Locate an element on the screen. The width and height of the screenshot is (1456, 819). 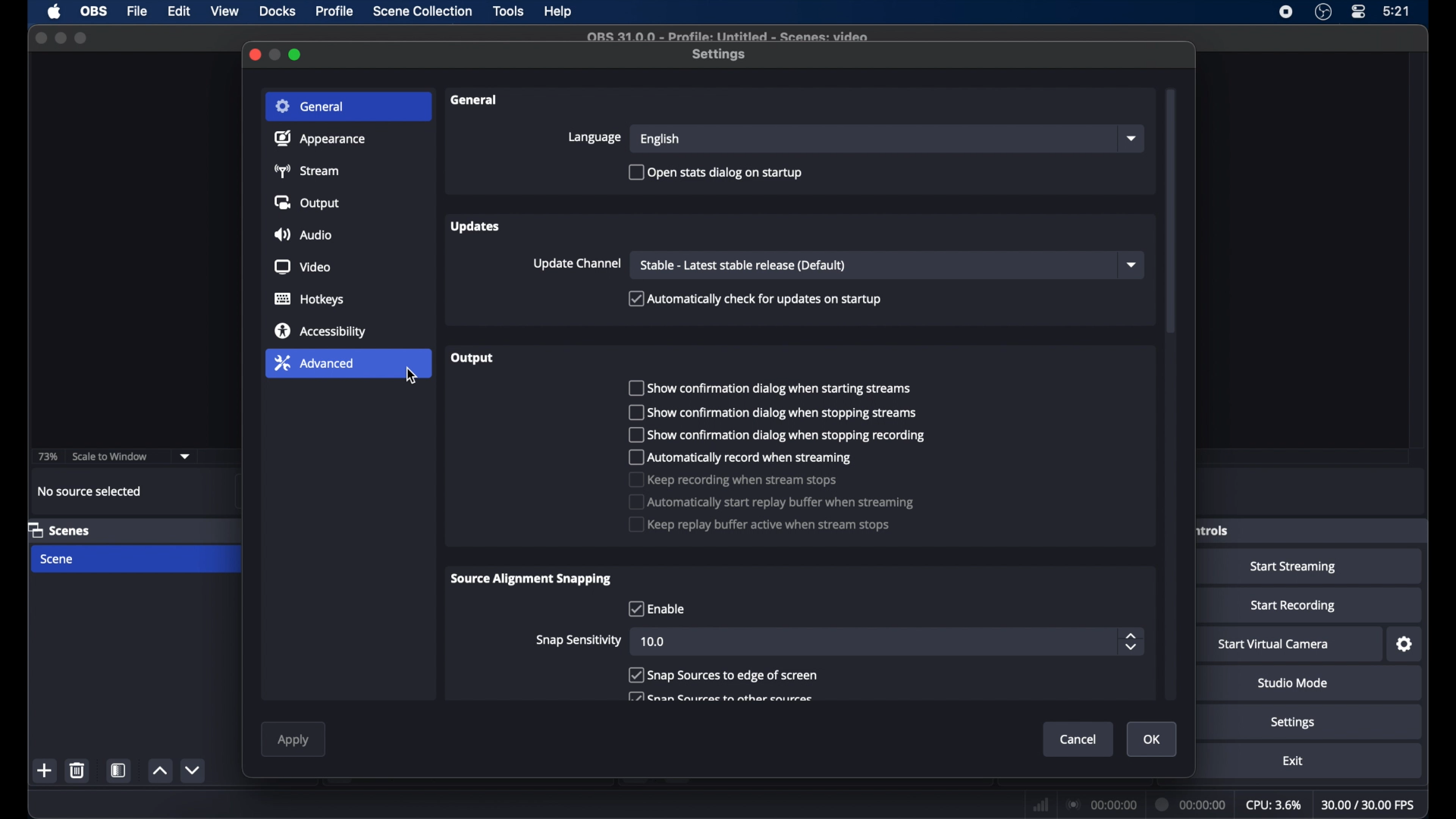
profile is located at coordinates (335, 11).